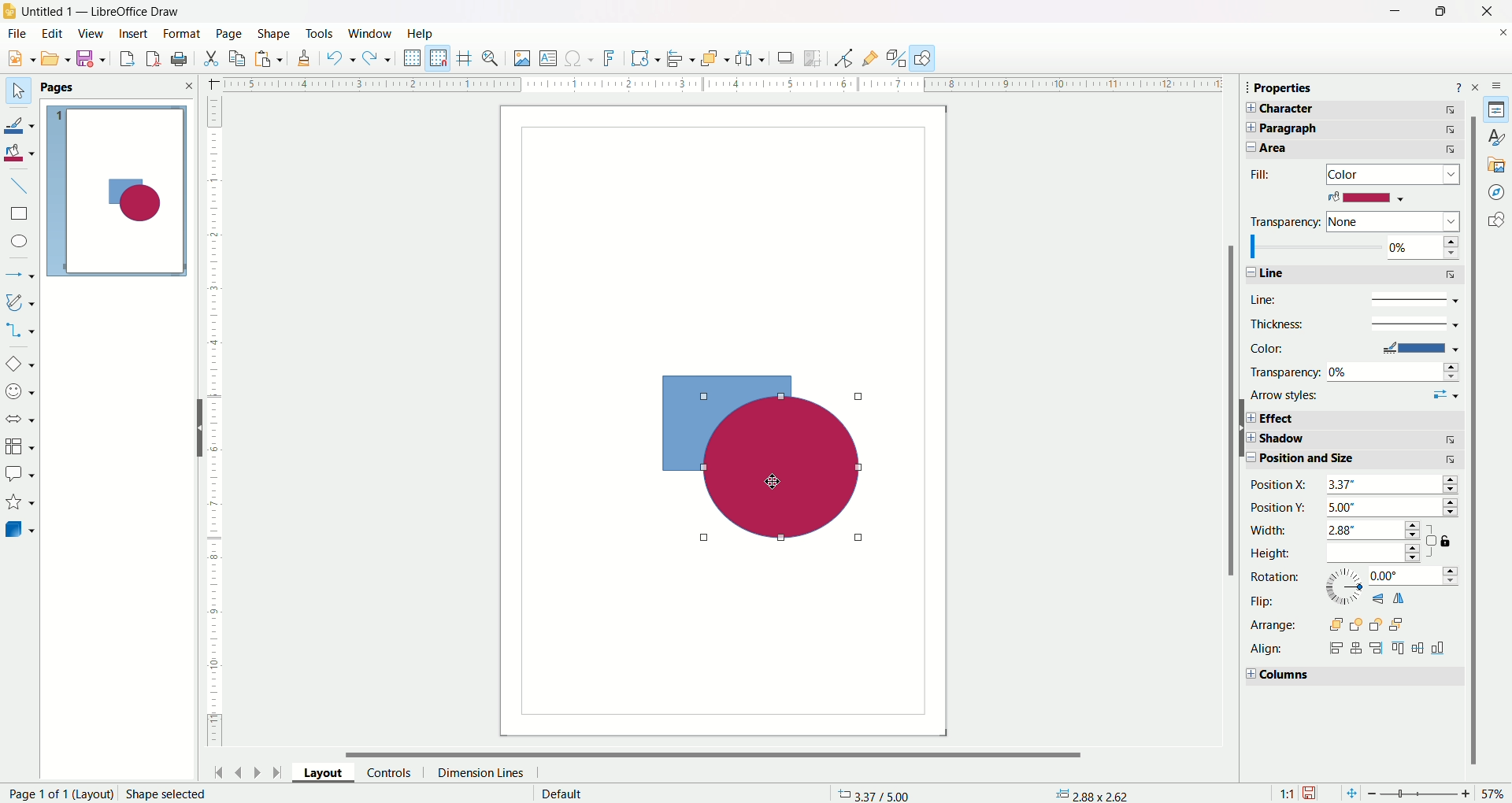 This screenshot has width=1512, height=803. Describe the element at coordinates (19, 34) in the screenshot. I see `file` at that location.